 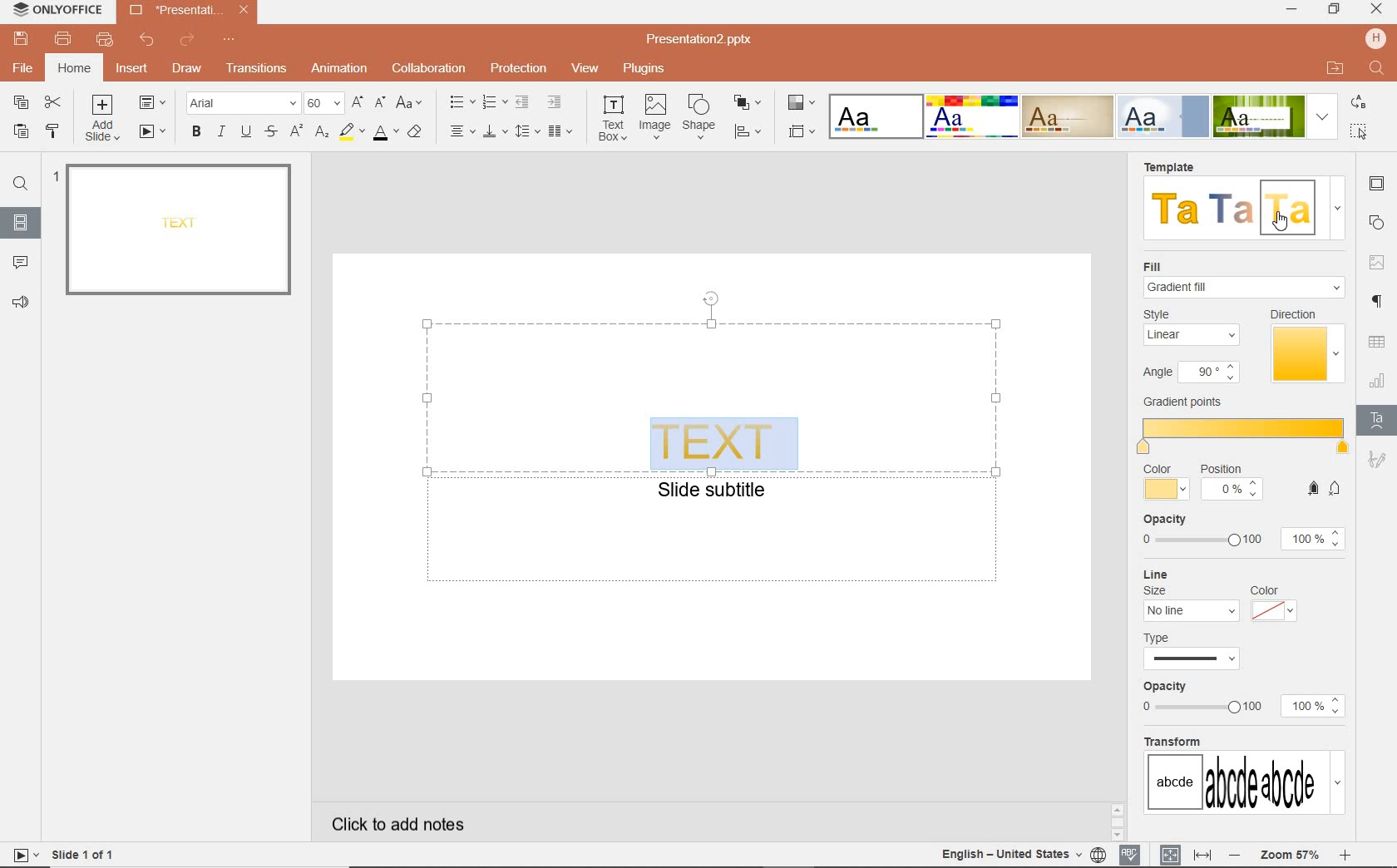 I want to click on image, so click(x=655, y=117).